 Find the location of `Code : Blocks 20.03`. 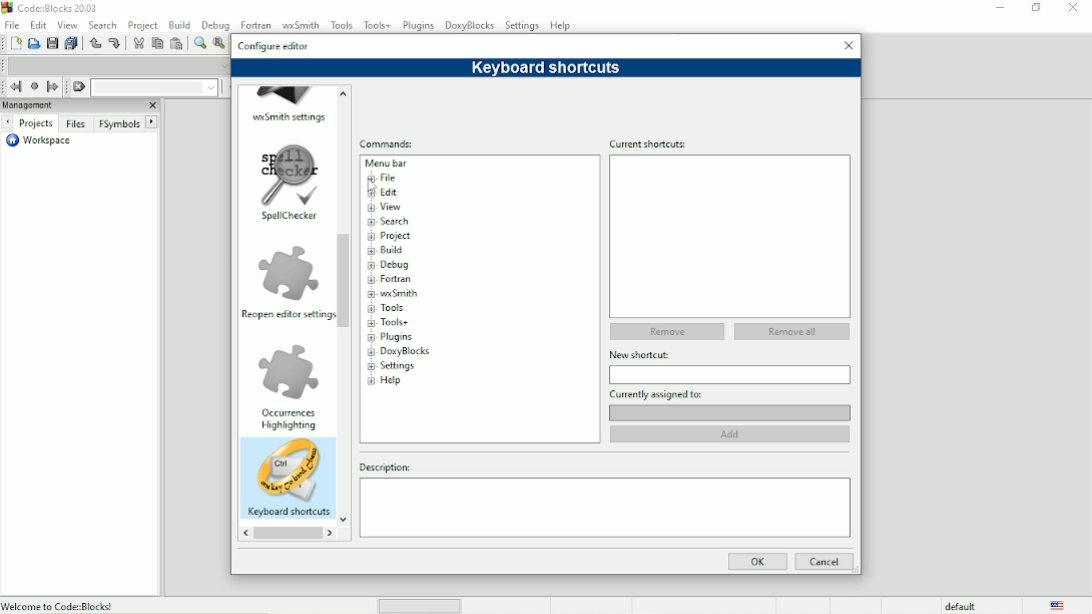

Code : Blocks 20.03 is located at coordinates (53, 7).